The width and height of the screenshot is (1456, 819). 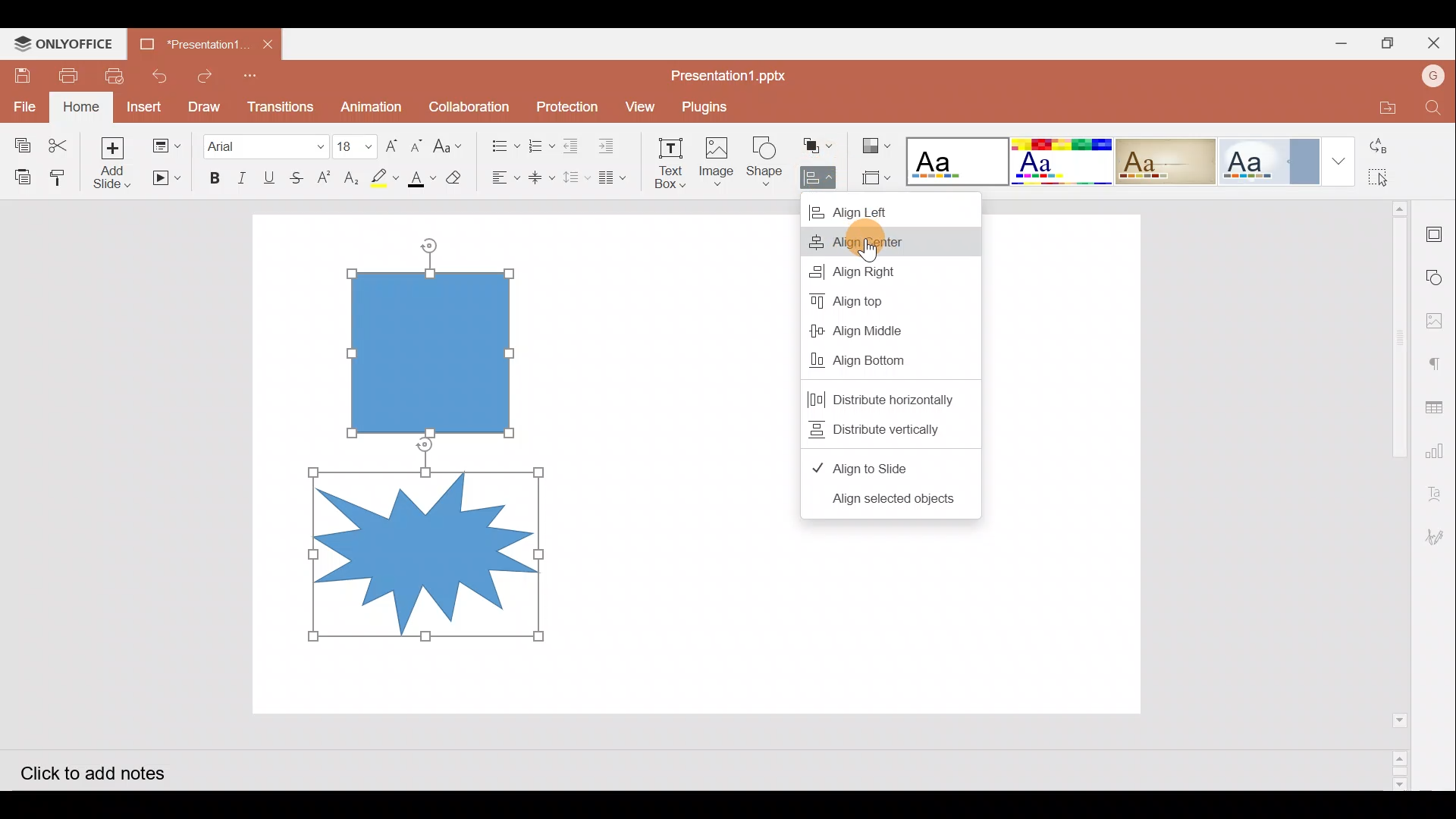 I want to click on Bold, so click(x=213, y=175).